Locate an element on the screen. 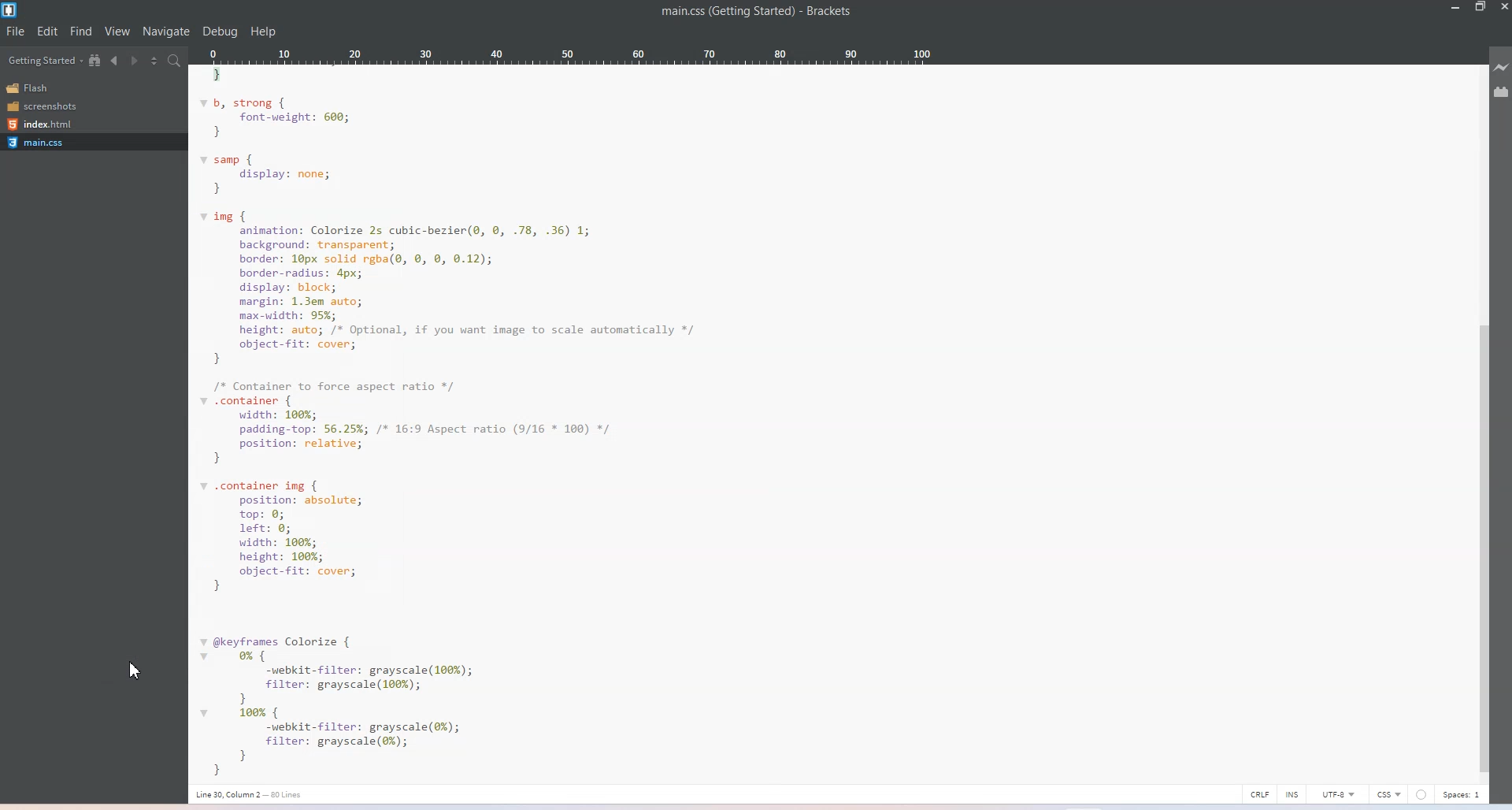 Image resolution: width=1512 pixels, height=810 pixels. Navigate Forwards is located at coordinates (135, 59).